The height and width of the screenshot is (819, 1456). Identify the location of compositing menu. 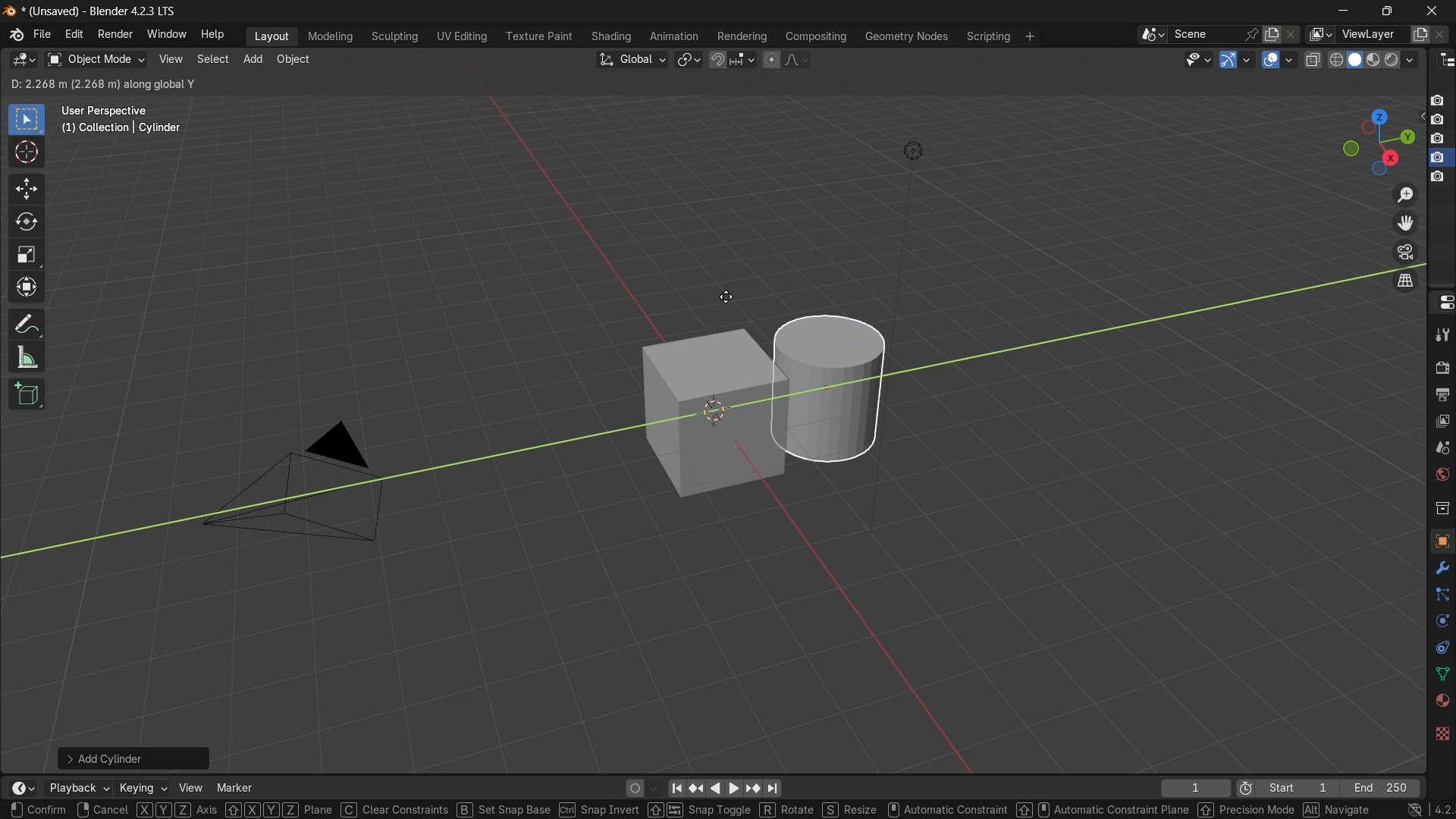
(817, 36).